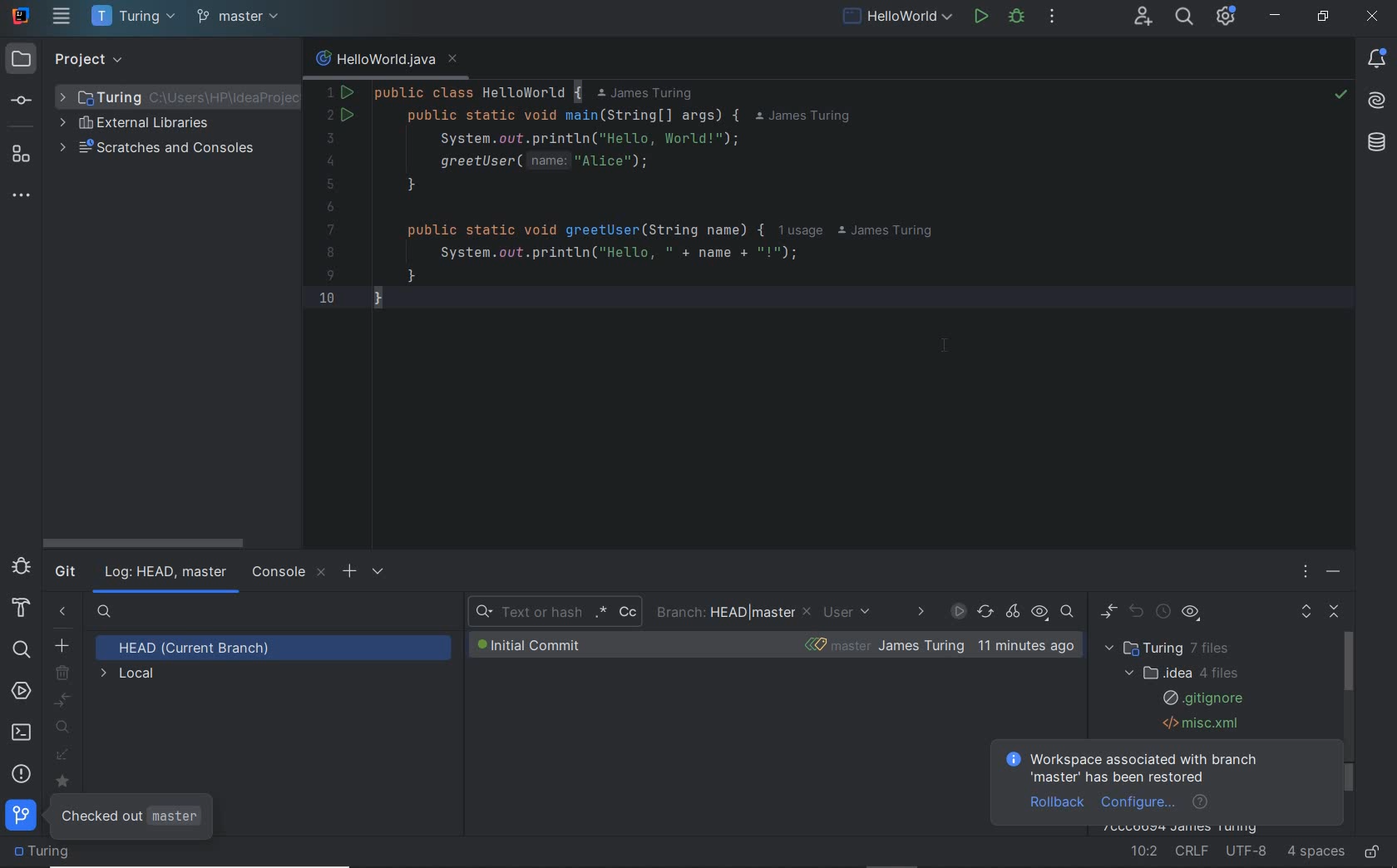  I want to click on expand all, so click(1306, 614).